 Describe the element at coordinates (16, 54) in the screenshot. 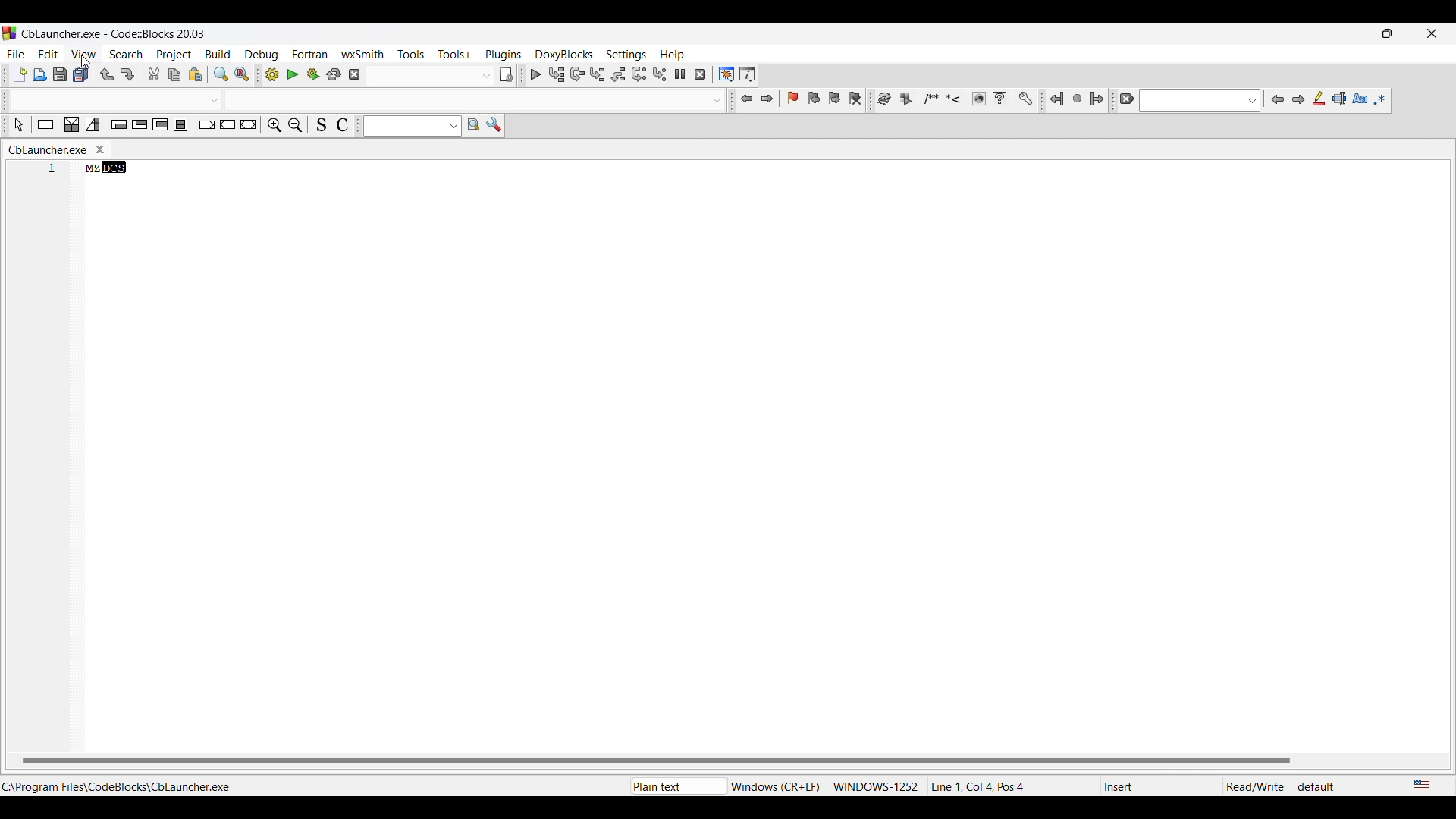

I see `File menu` at that location.